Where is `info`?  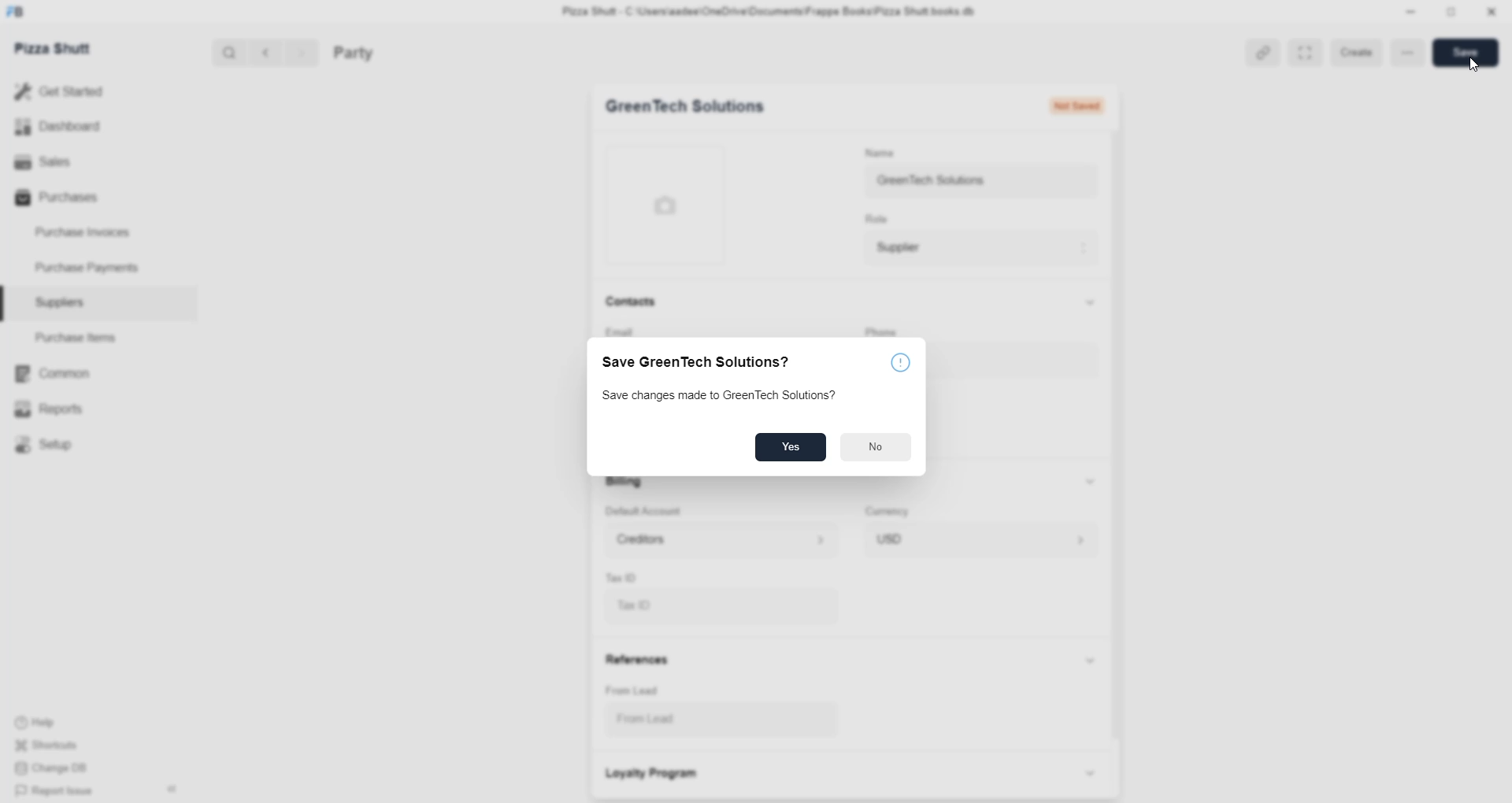 info is located at coordinates (899, 361).